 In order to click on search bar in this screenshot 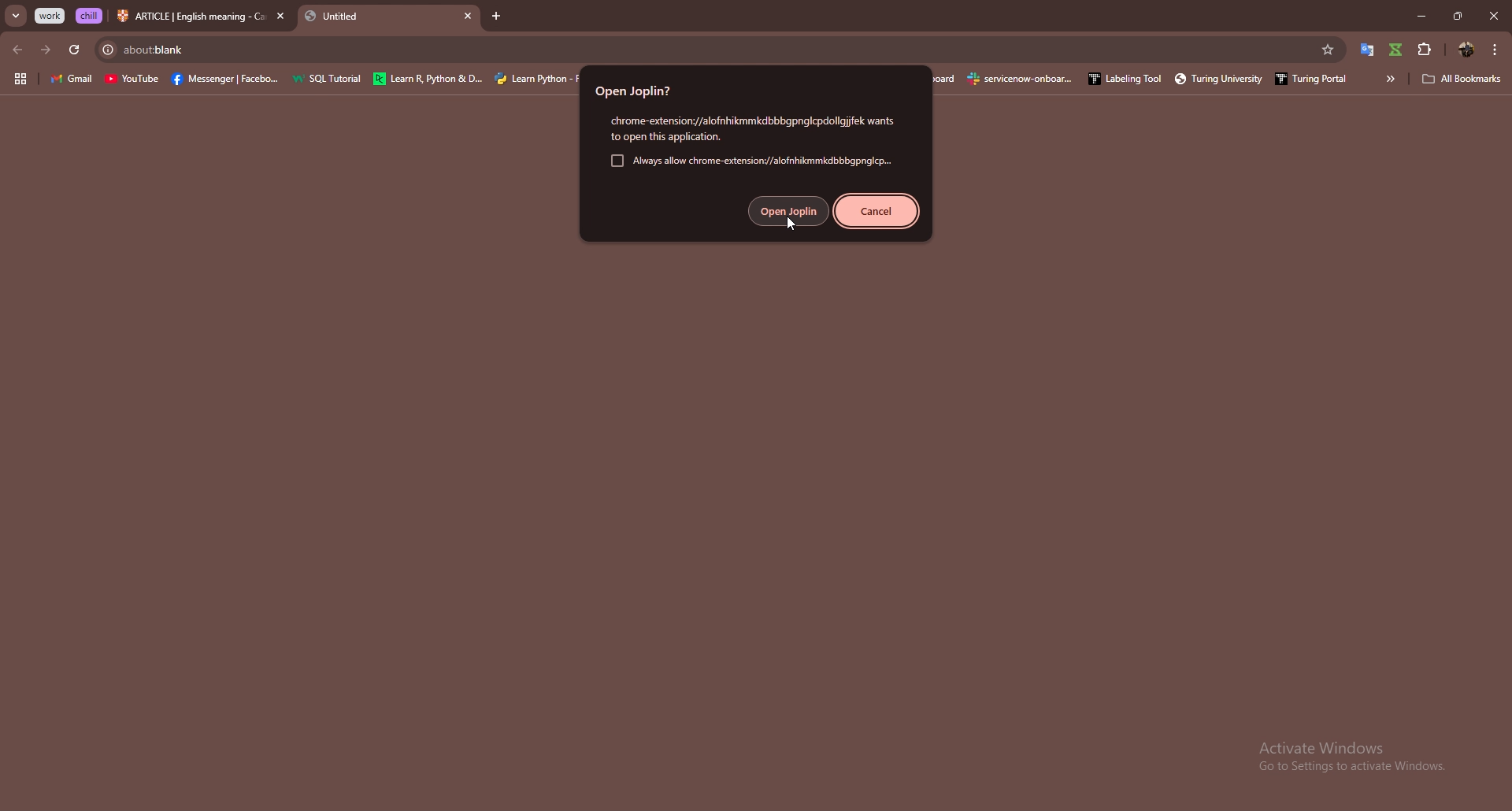, I will do `click(700, 50)`.